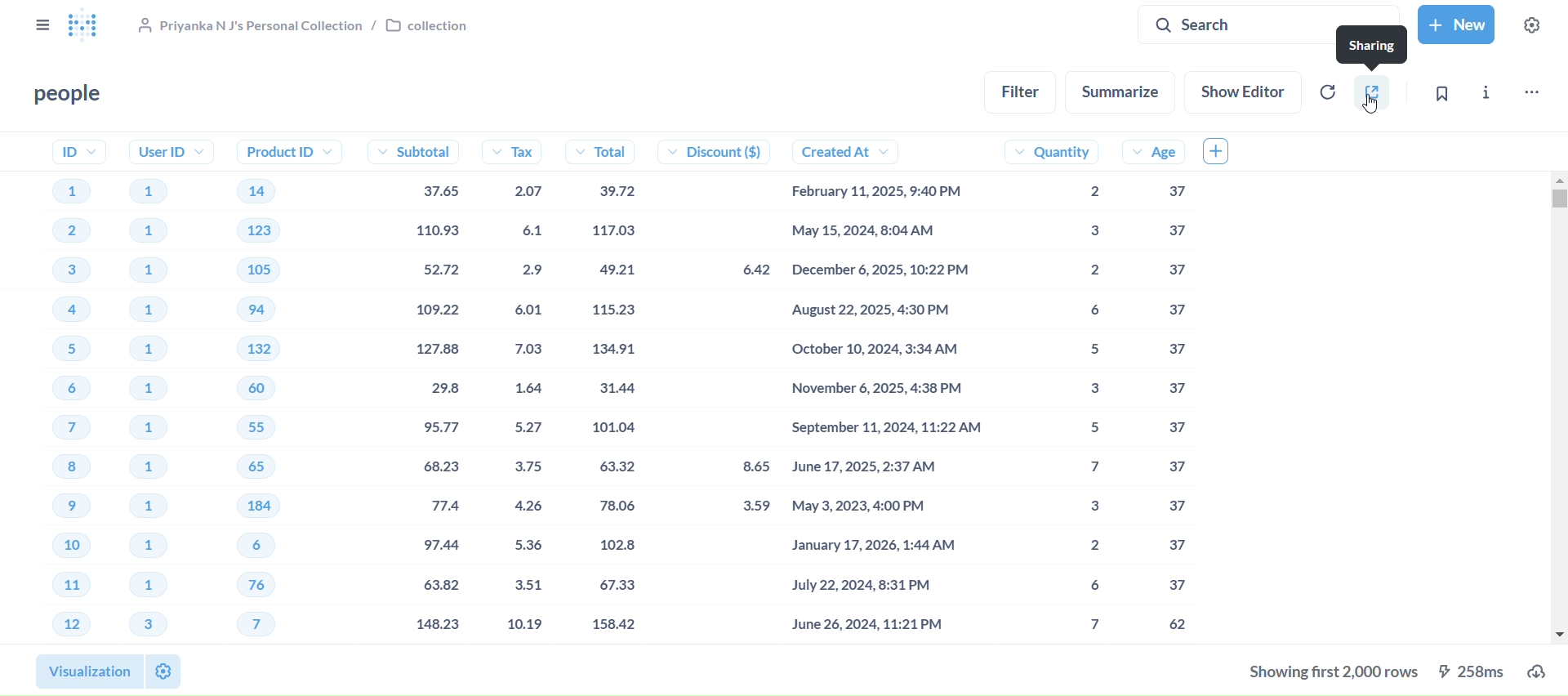 This screenshot has height=696, width=1568. What do you see at coordinates (305, 26) in the screenshot?
I see ` Priyanka N J's Personal Collection / collection` at bounding box center [305, 26].